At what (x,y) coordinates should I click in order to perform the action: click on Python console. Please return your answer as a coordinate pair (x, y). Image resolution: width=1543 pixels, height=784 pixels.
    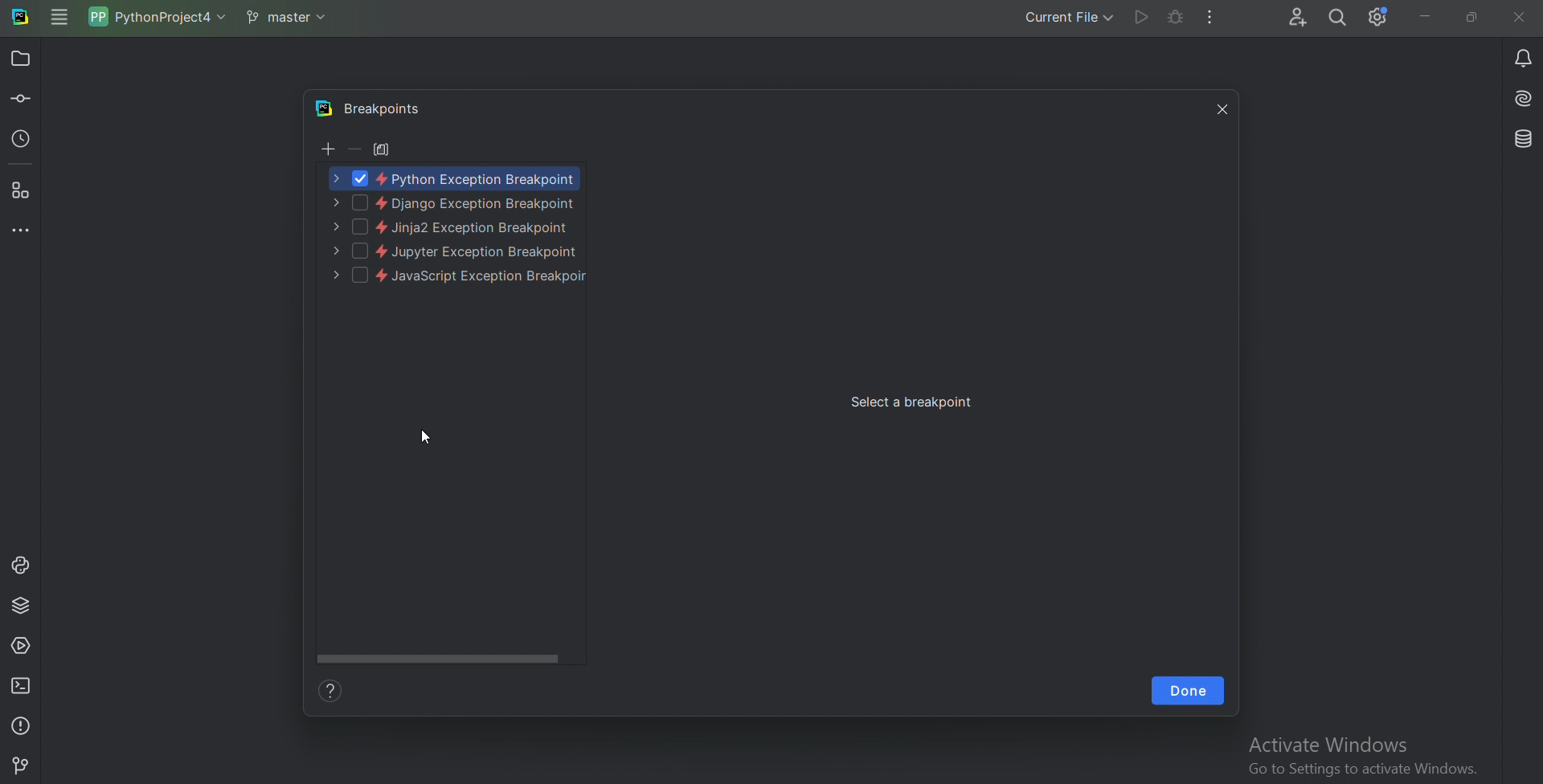
    Looking at the image, I should click on (20, 566).